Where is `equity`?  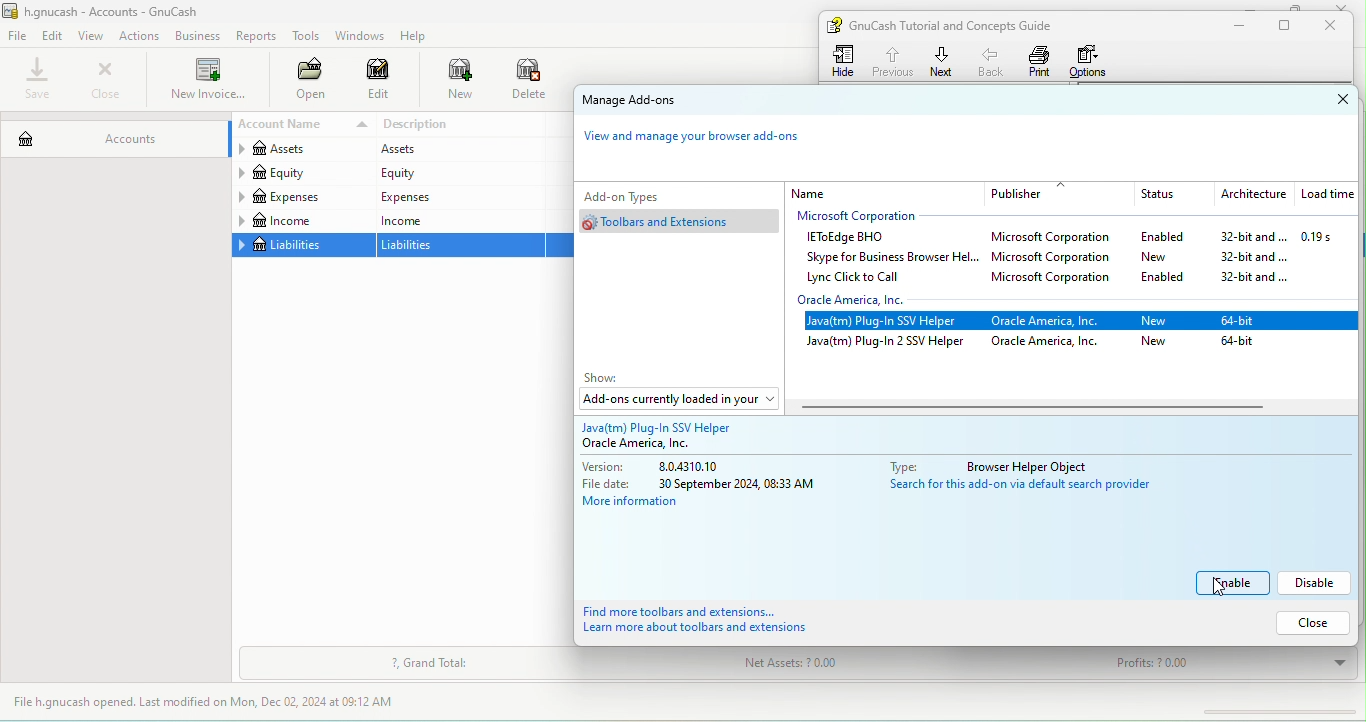
equity is located at coordinates (301, 174).